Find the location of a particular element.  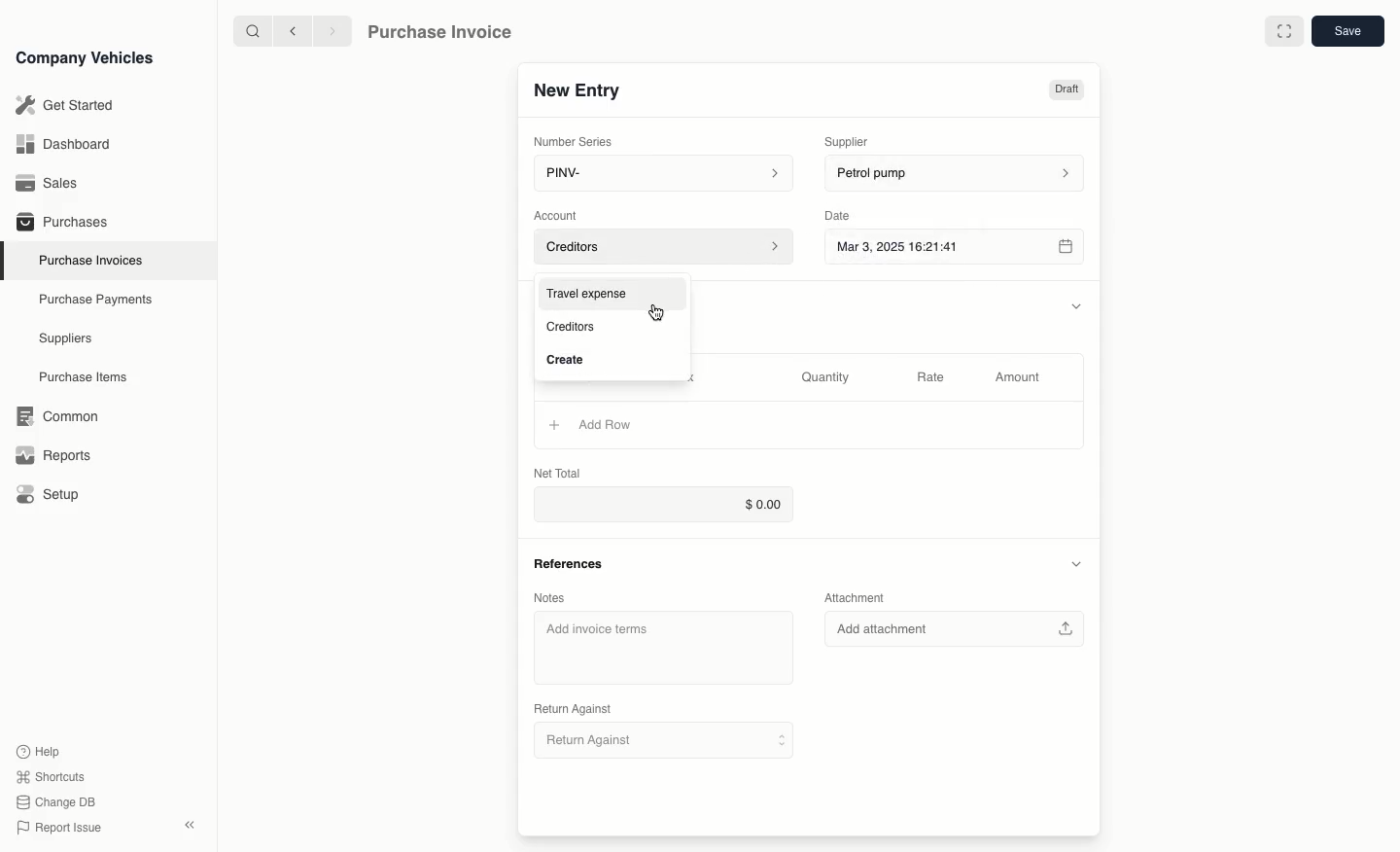

Add invoice terms. is located at coordinates (661, 648).